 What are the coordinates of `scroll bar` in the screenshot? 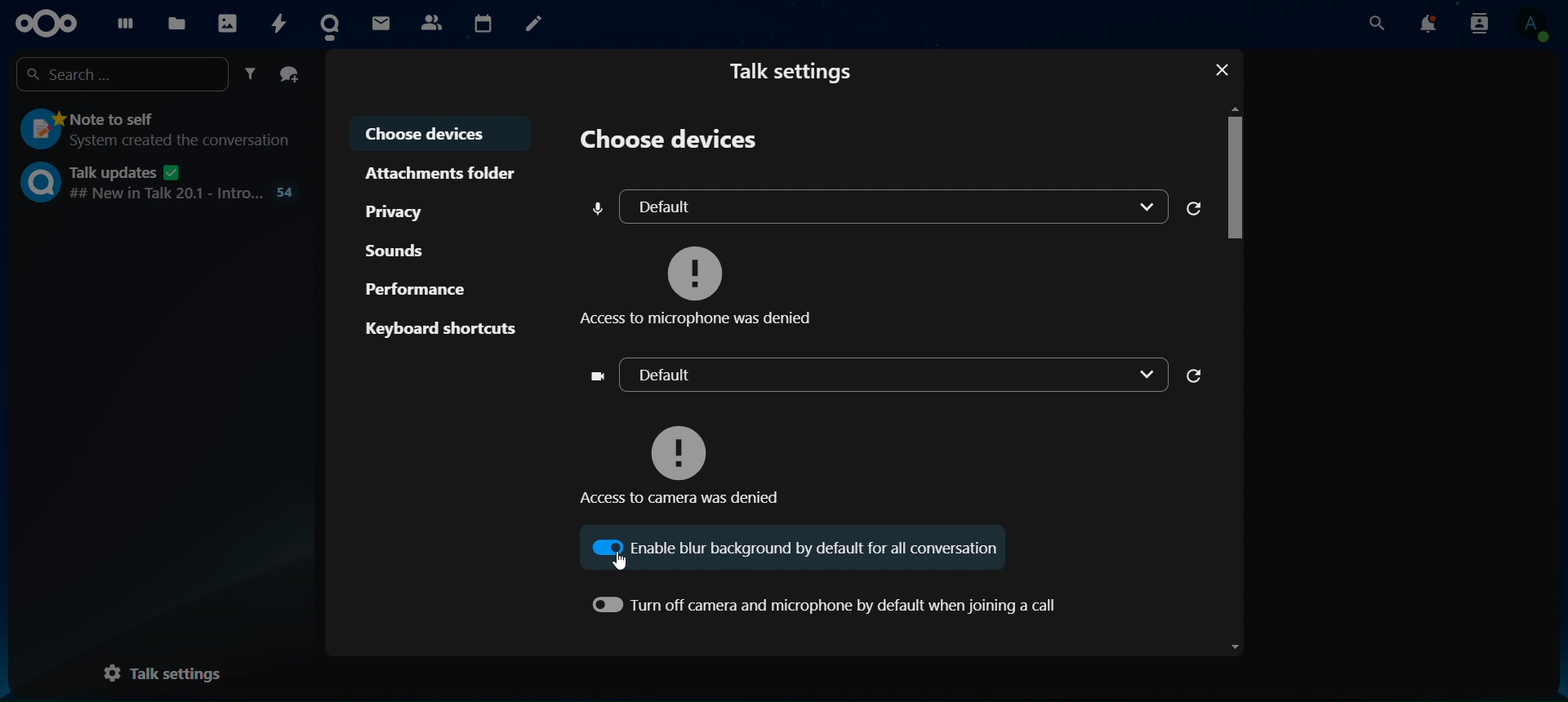 It's located at (1234, 381).